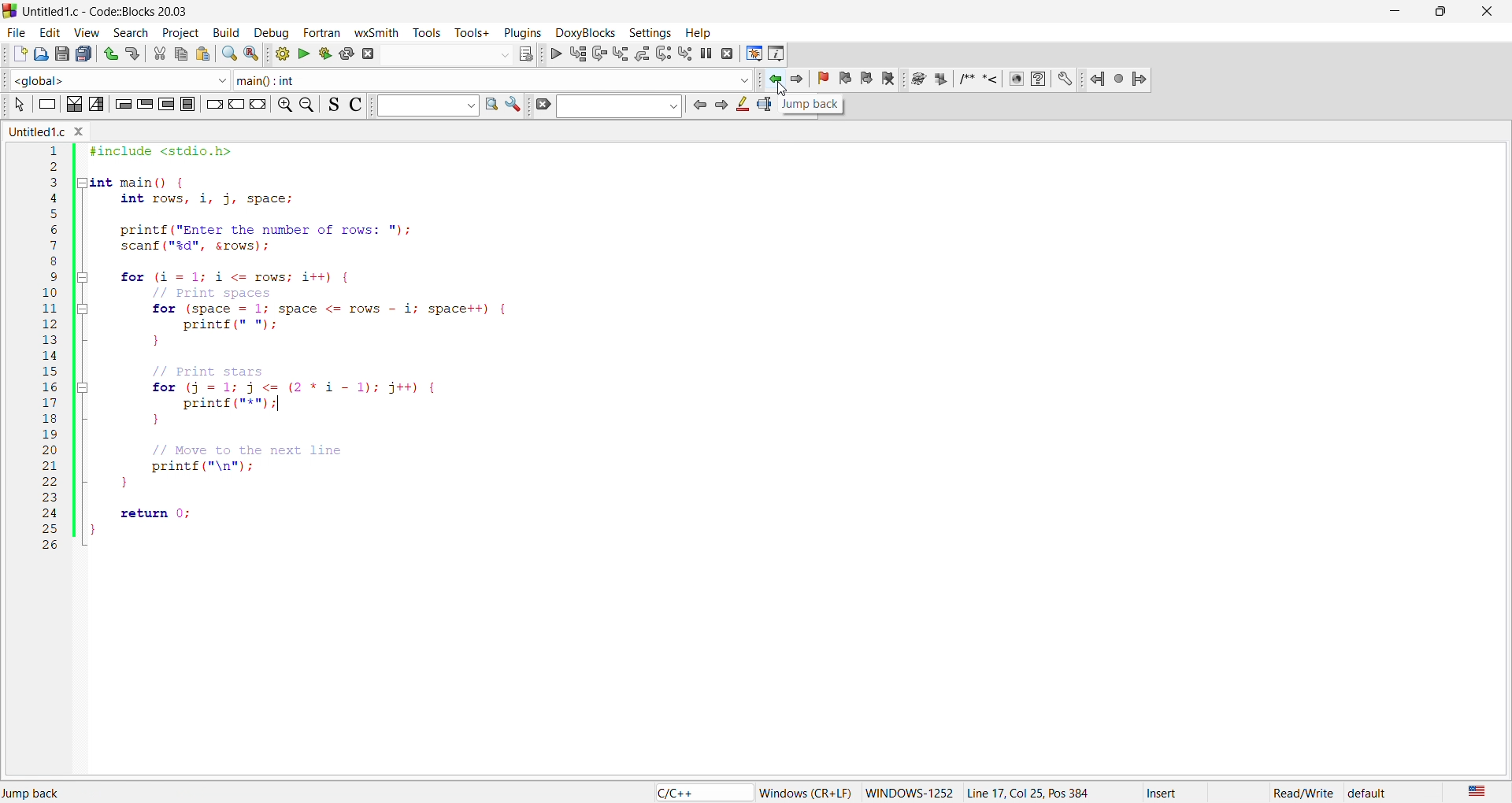 Image resolution: width=1512 pixels, height=803 pixels. I want to click on default, so click(1377, 790).